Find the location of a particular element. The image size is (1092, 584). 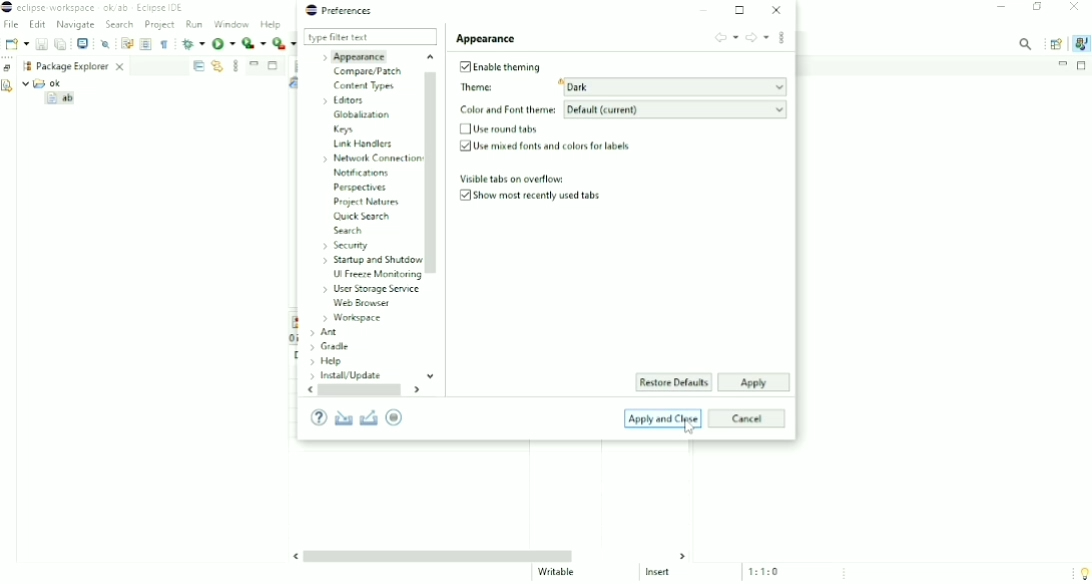

Save is located at coordinates (41, 44).